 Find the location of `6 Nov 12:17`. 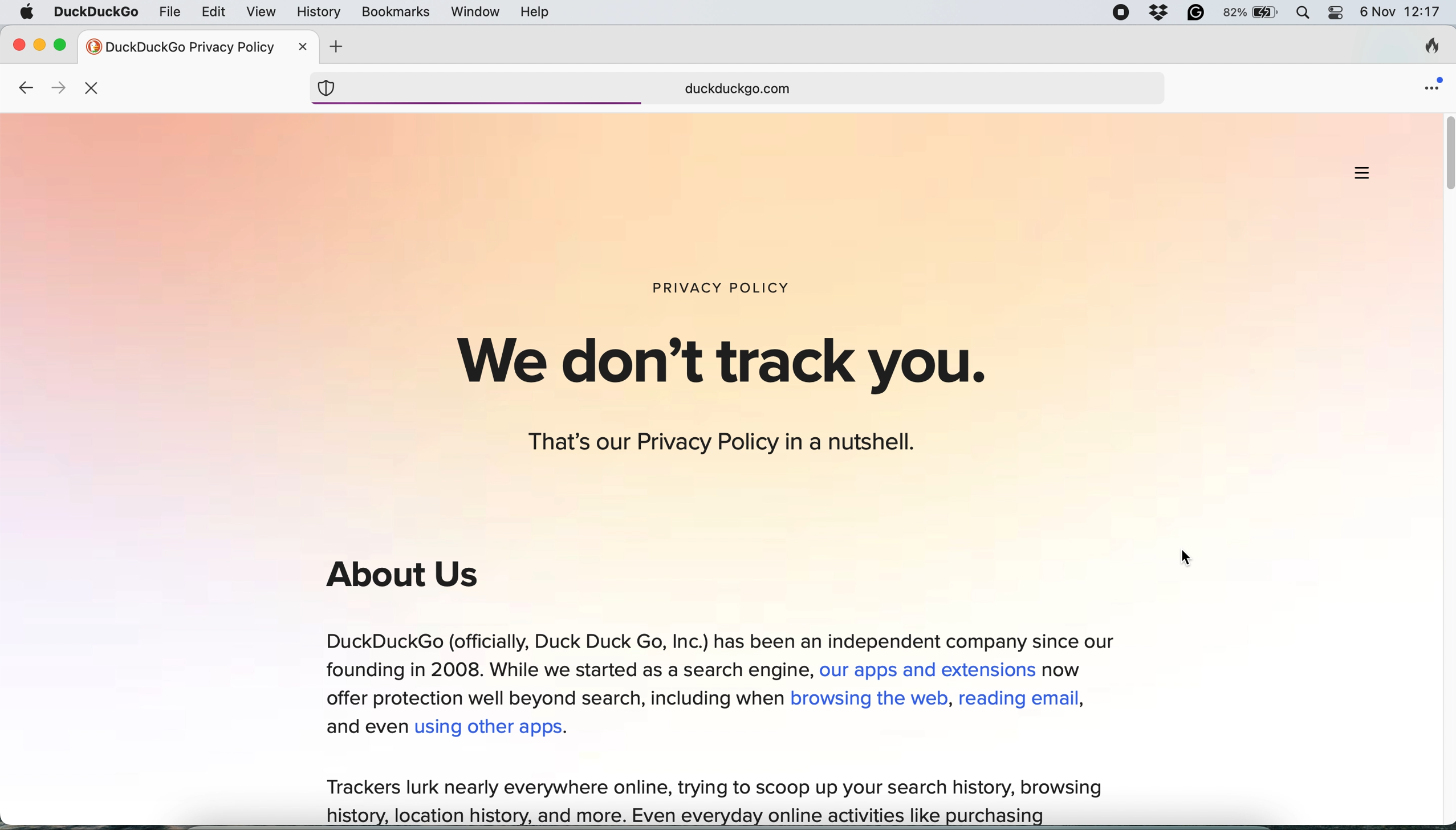

6 Nov 12:17 is located at coordinates (1401, 14).